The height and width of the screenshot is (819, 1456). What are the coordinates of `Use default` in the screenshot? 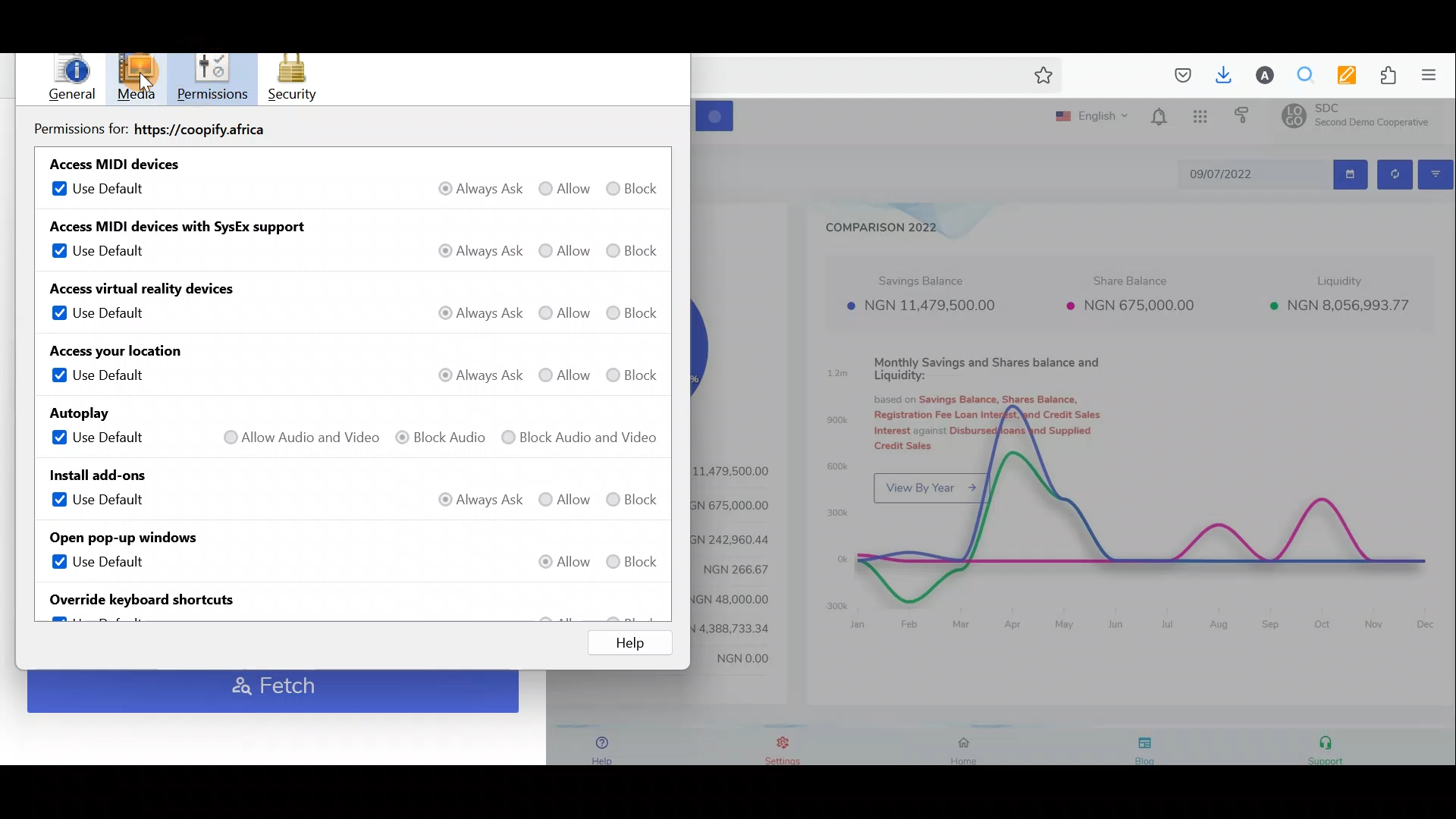 It's located at (97, 497).